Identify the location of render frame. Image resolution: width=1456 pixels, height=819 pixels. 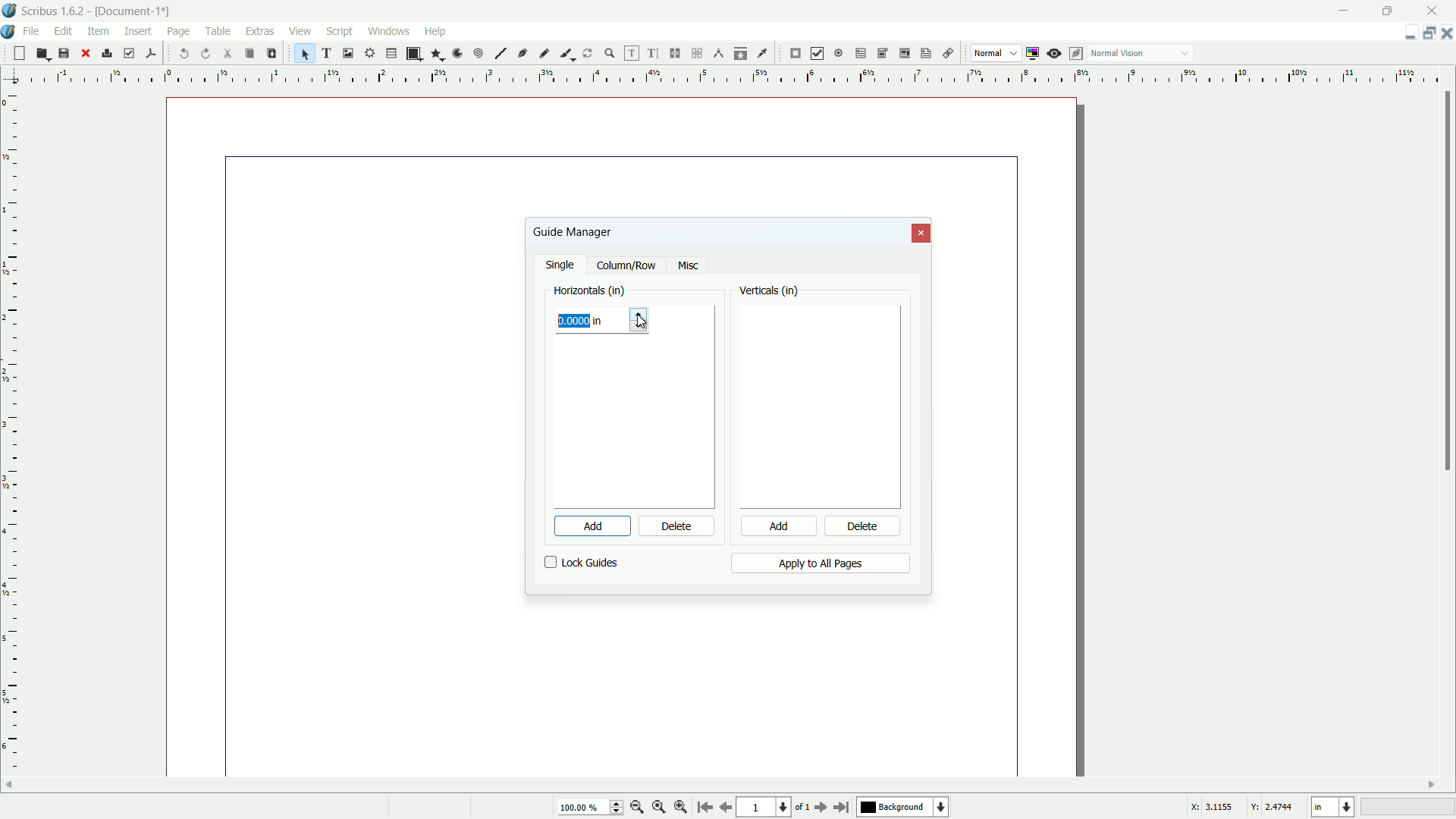
(368, 53).